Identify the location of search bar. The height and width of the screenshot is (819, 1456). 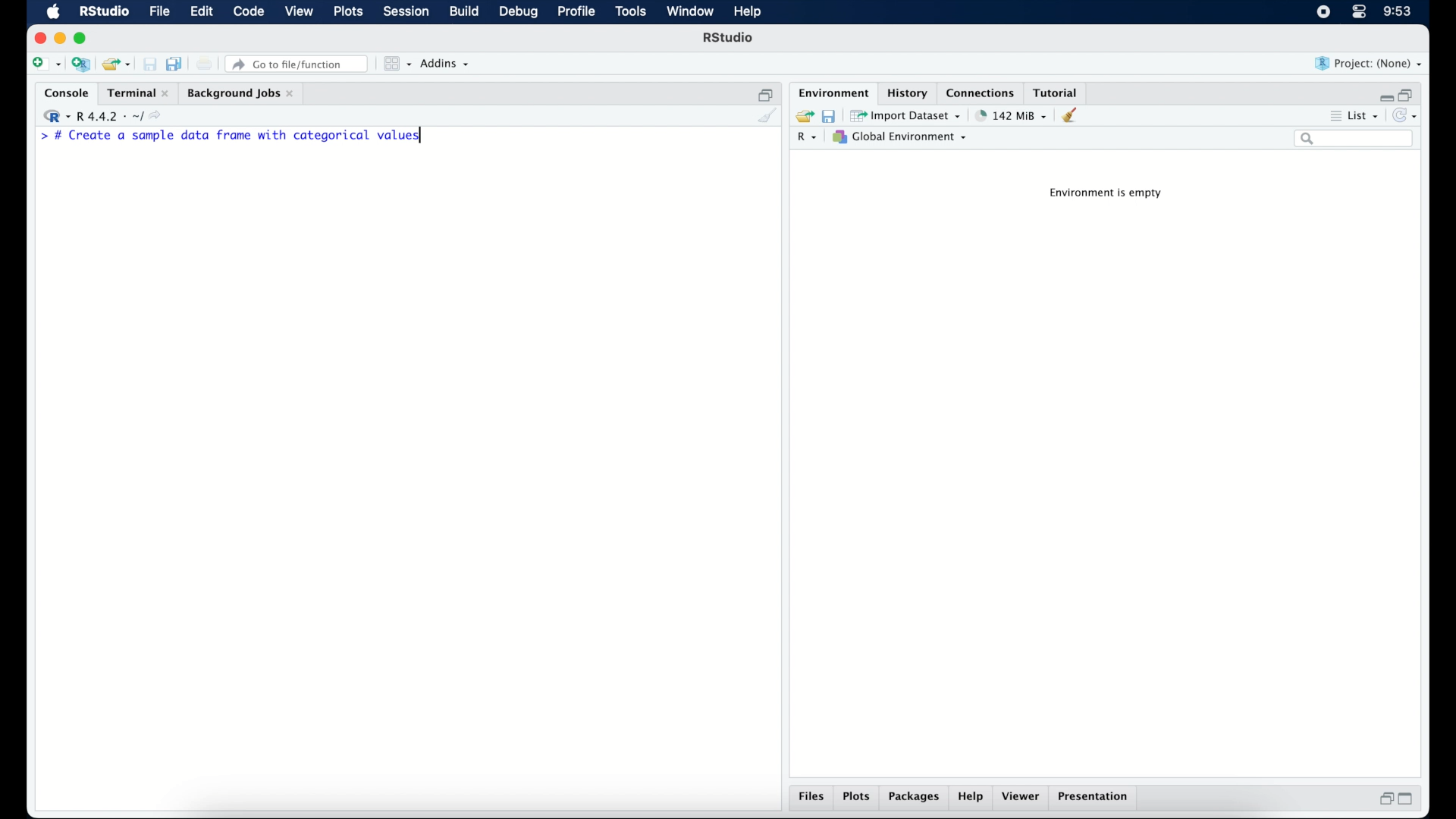
(1355, 140).